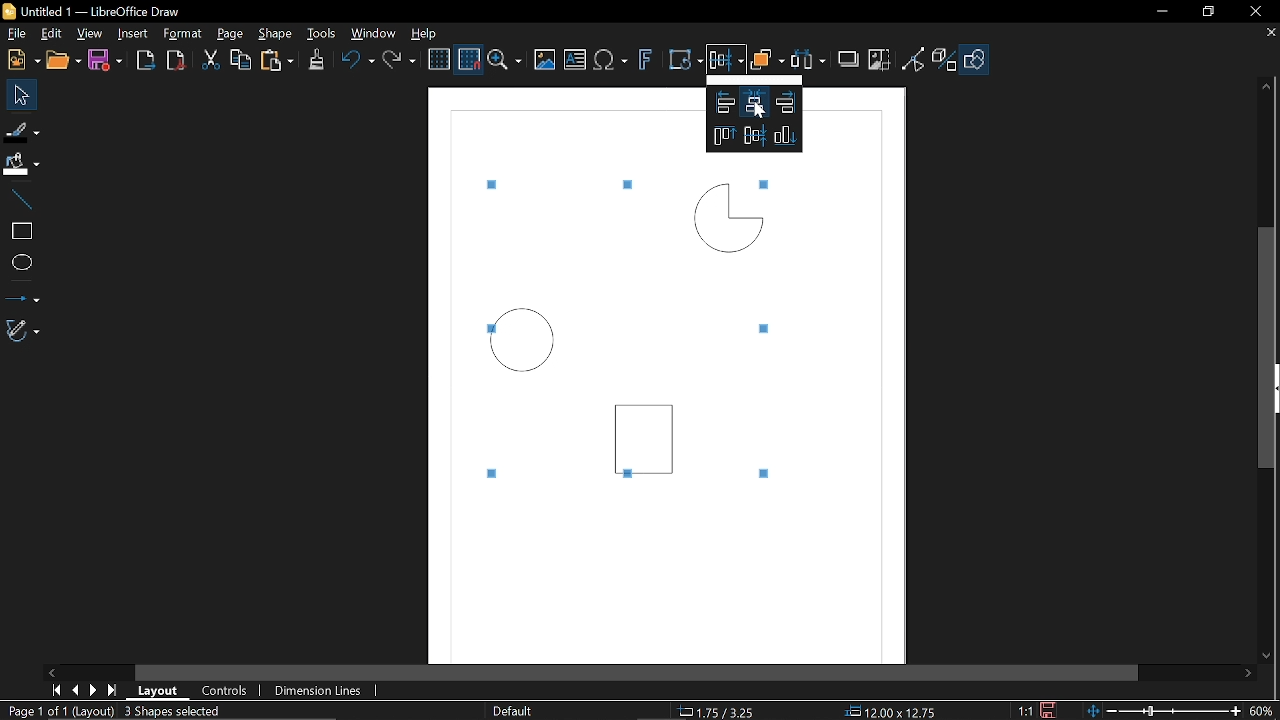 This screenshot has width=1280, height=720. I want to click on Export pdf, so click(174, 61).